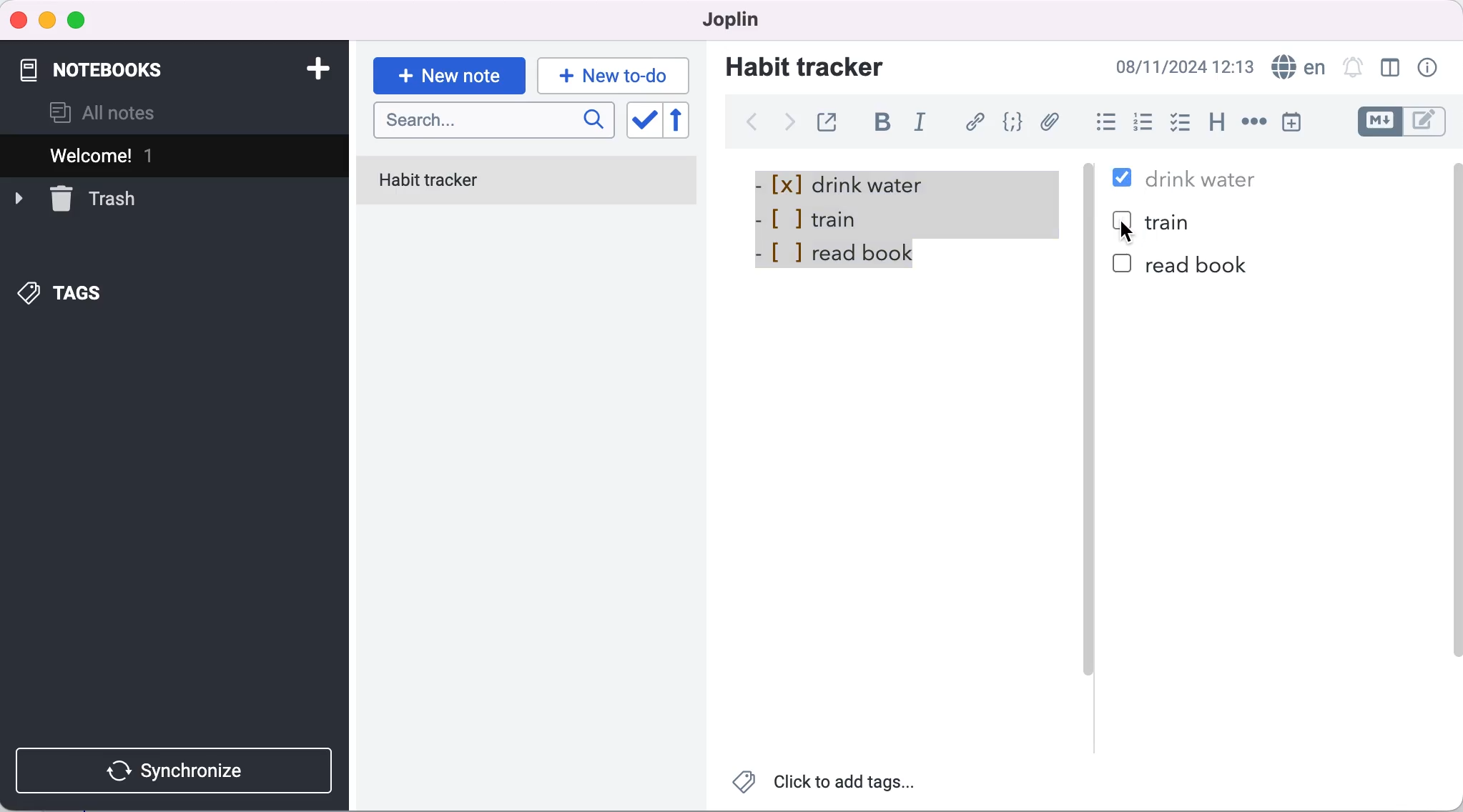  Describe the element at coordinates (831, 120) in the screenshot. I see `toggle external editing` at that location.